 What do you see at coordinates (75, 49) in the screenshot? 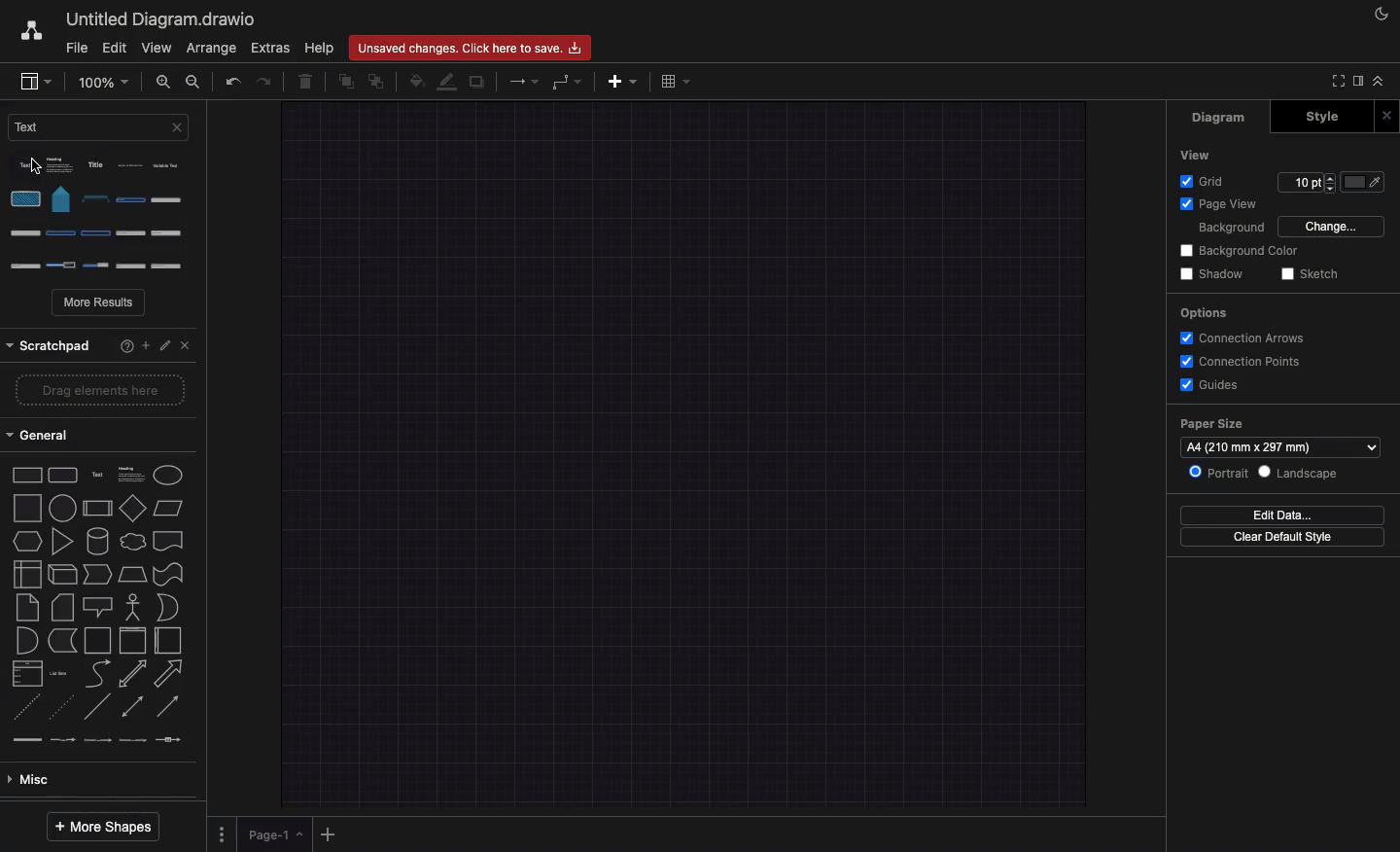
I see `File` at bounding box center [75, 49].